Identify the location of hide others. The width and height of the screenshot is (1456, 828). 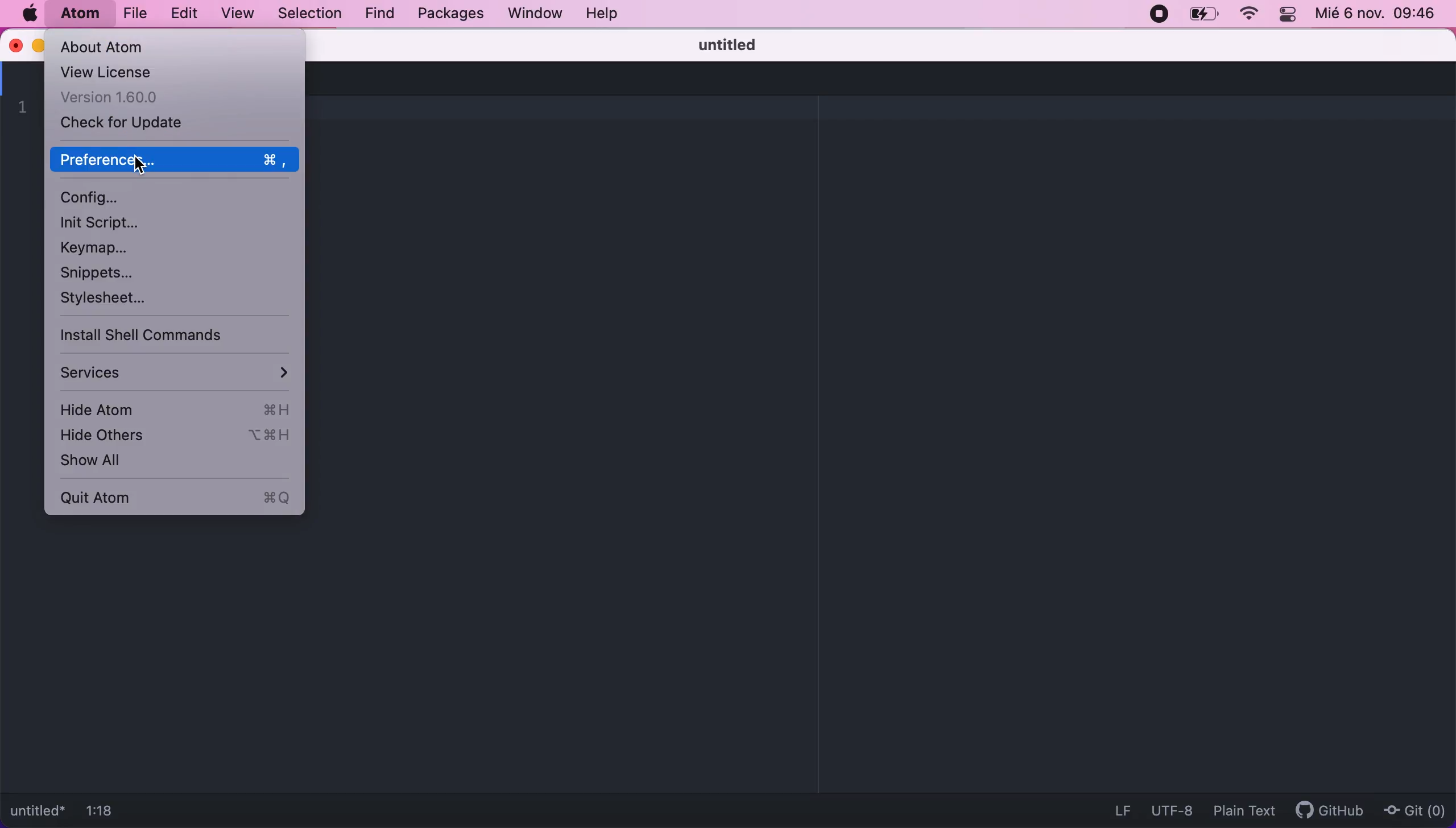
(176, 436).